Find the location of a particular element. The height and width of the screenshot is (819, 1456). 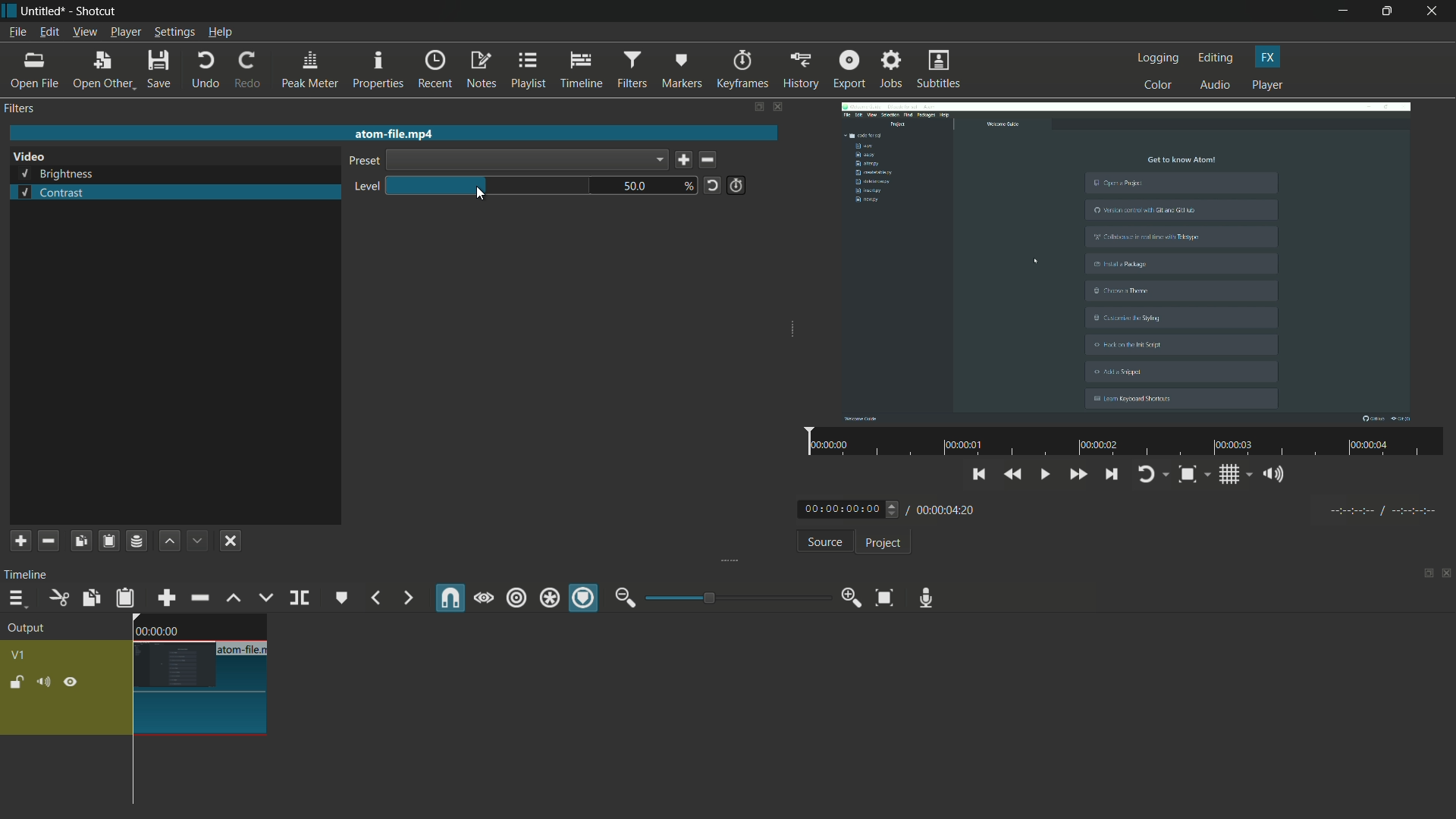

timeline is located at coordinates (582, 71).